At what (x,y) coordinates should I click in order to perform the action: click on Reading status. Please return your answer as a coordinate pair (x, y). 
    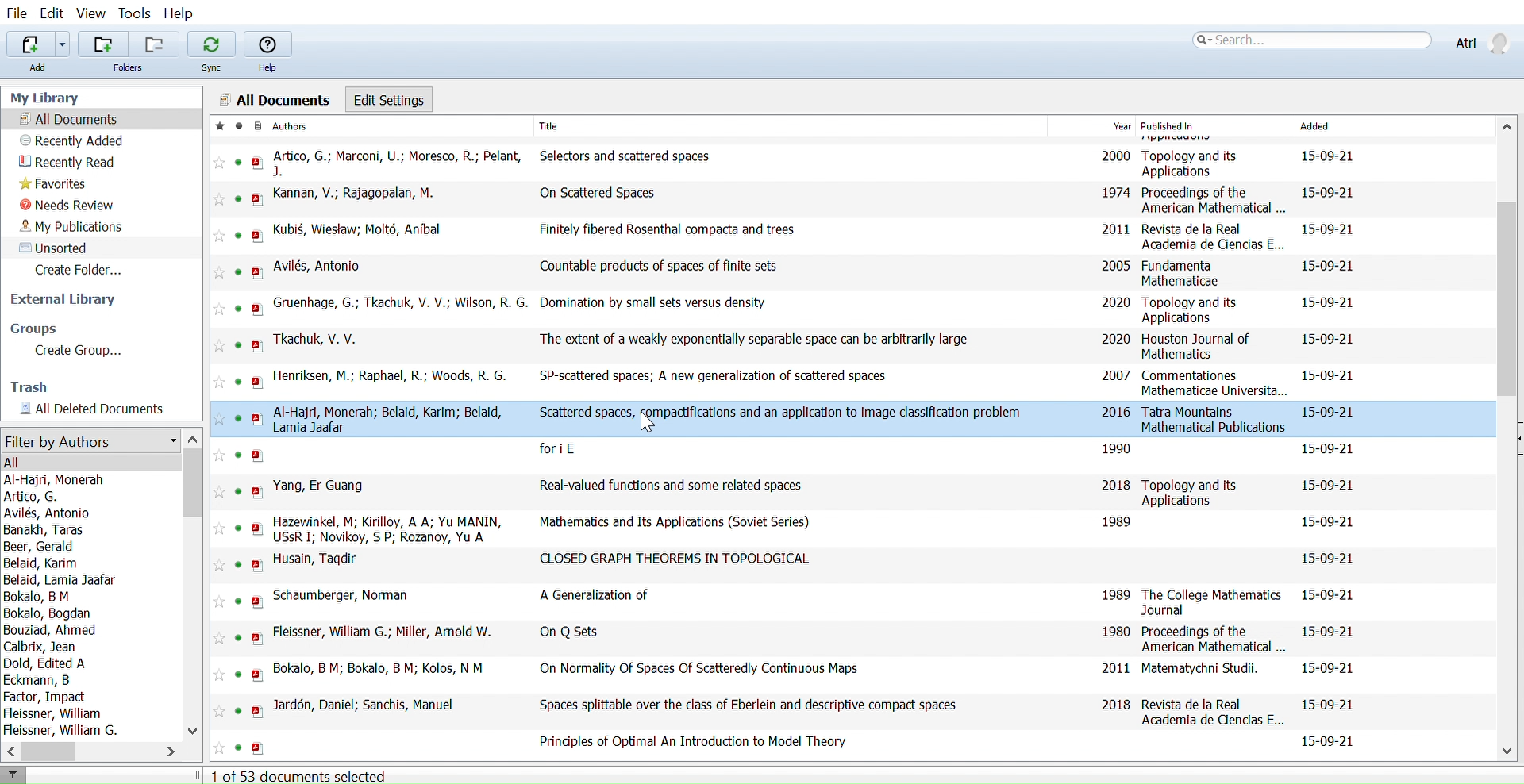
    Looking at the image, I should click on (240, 455).